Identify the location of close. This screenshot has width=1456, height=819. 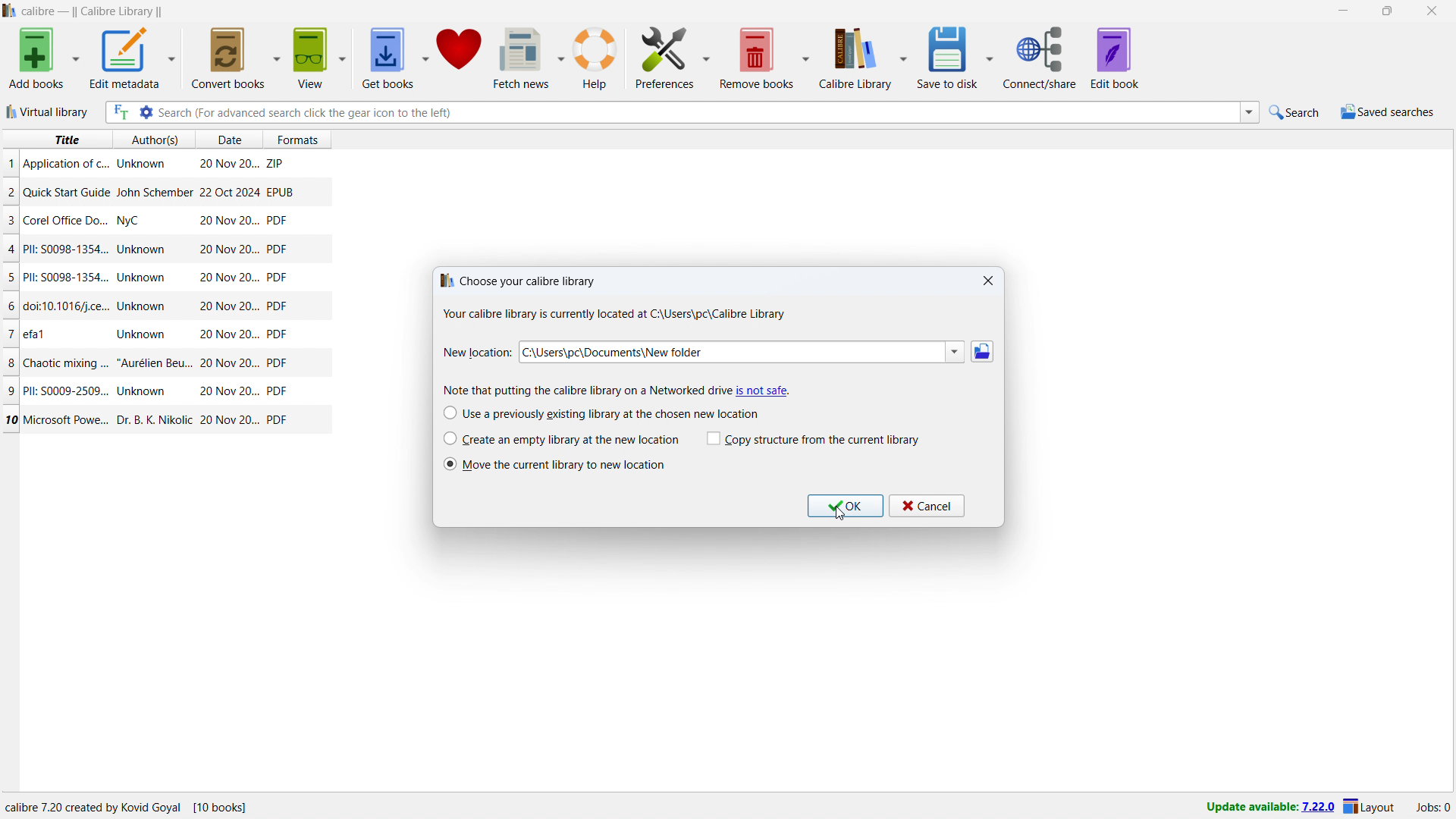
(1432, 11).